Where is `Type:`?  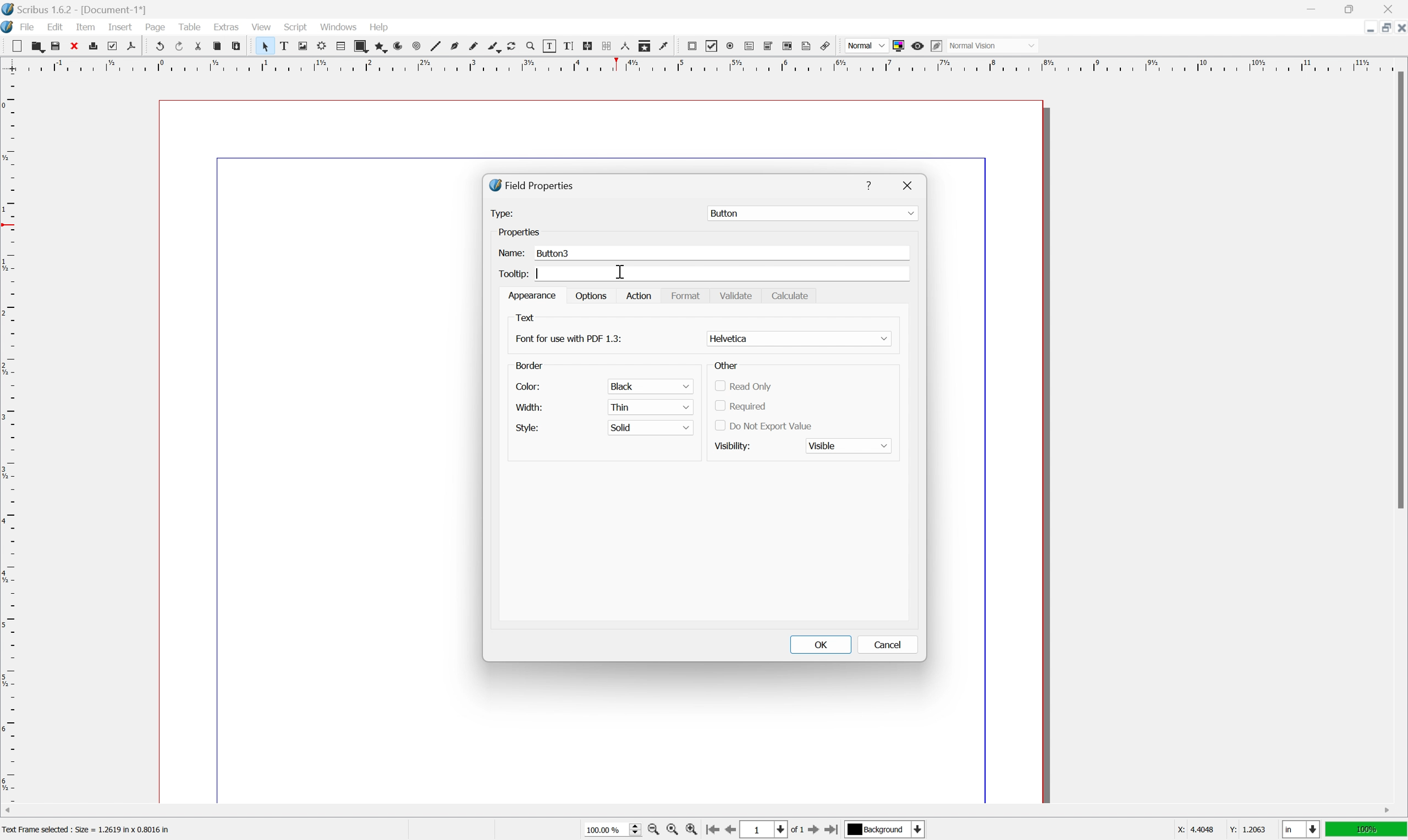
Type: is located at coordinates (499, 212).